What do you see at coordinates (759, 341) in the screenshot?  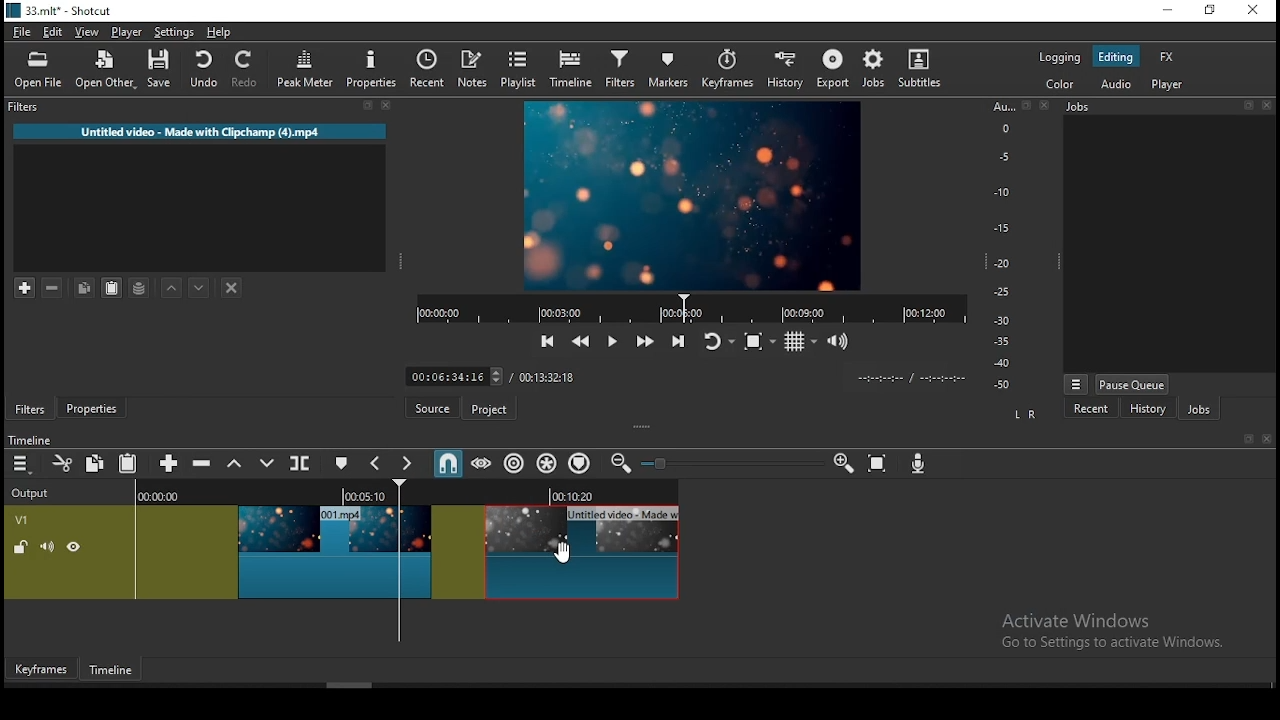 I see `toggle zoom` at bounding box center [759, 341].